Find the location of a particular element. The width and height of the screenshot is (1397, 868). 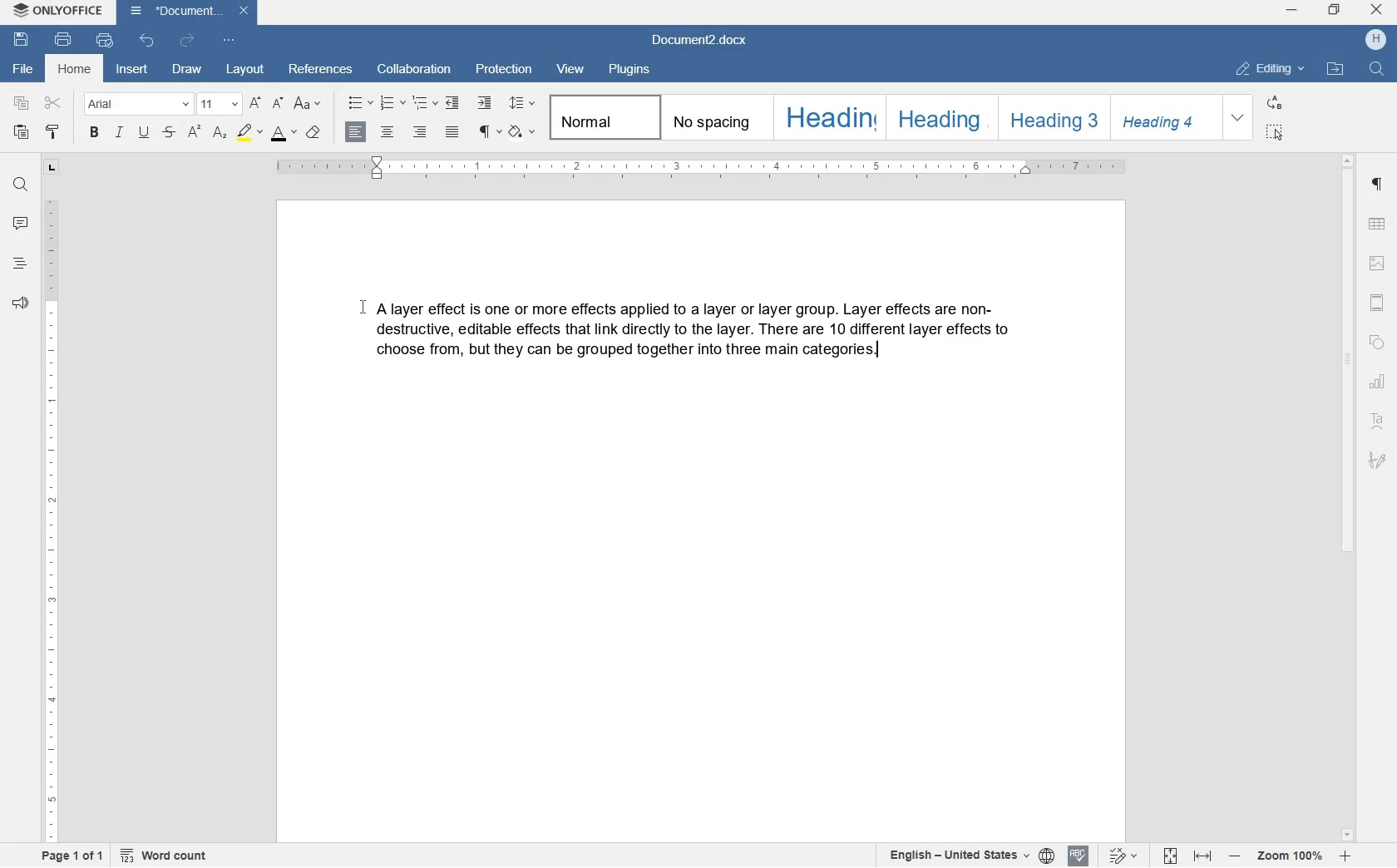

spell checking is located at coordinates (1078, 856).